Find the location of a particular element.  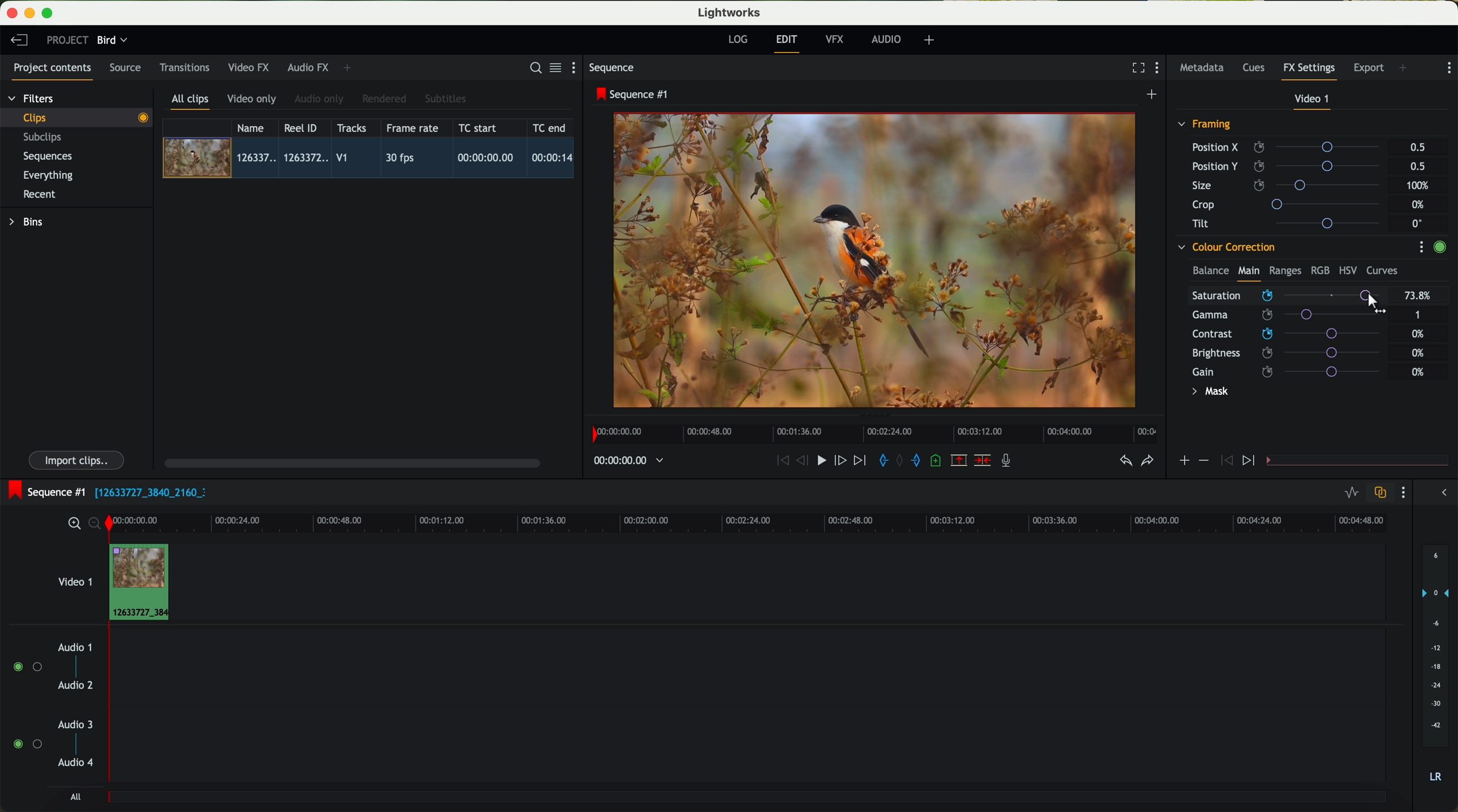

video 1 is located at coordinates (74, 579).